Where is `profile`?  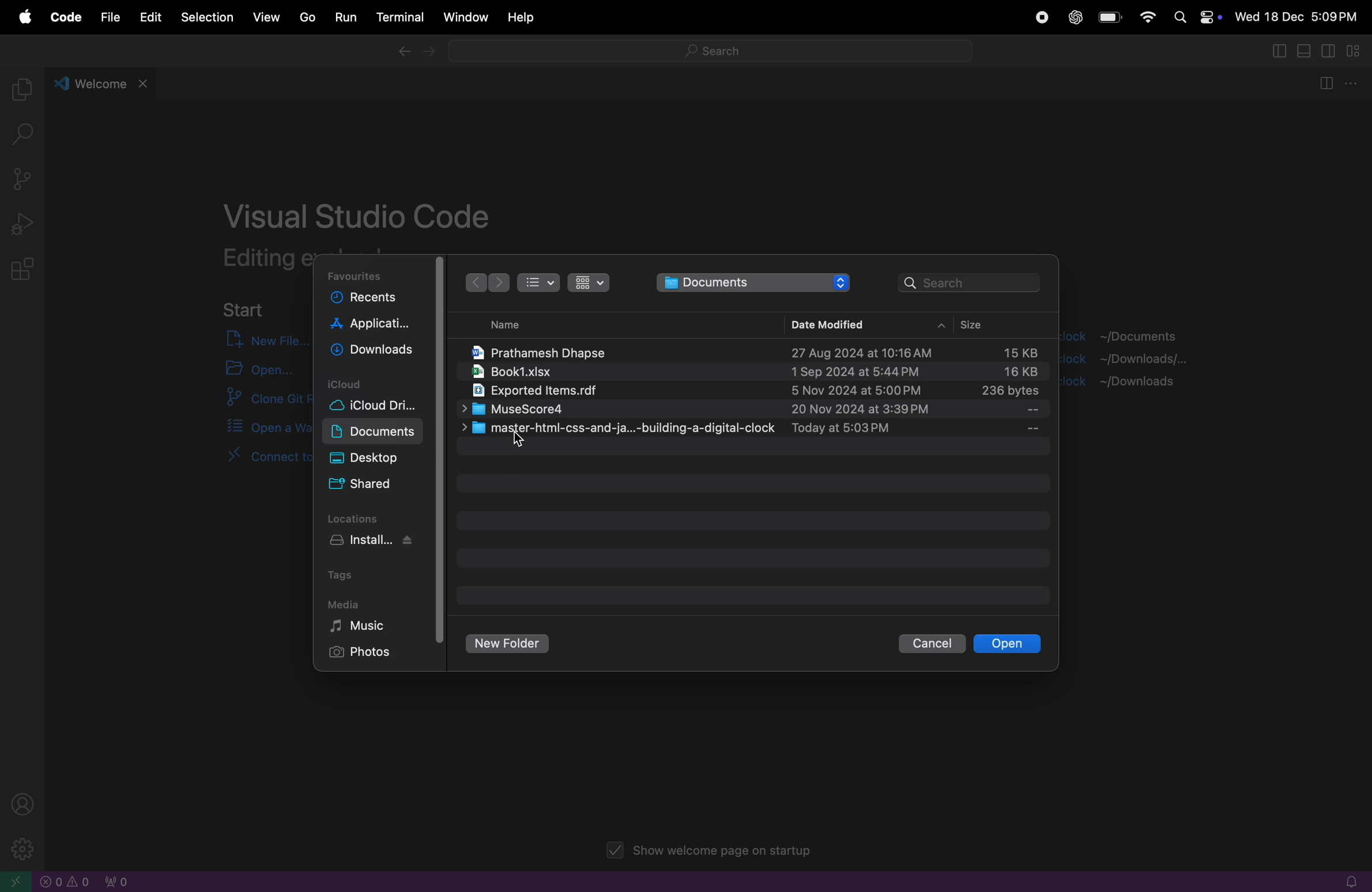
profile is located at coordinates (27, 803).